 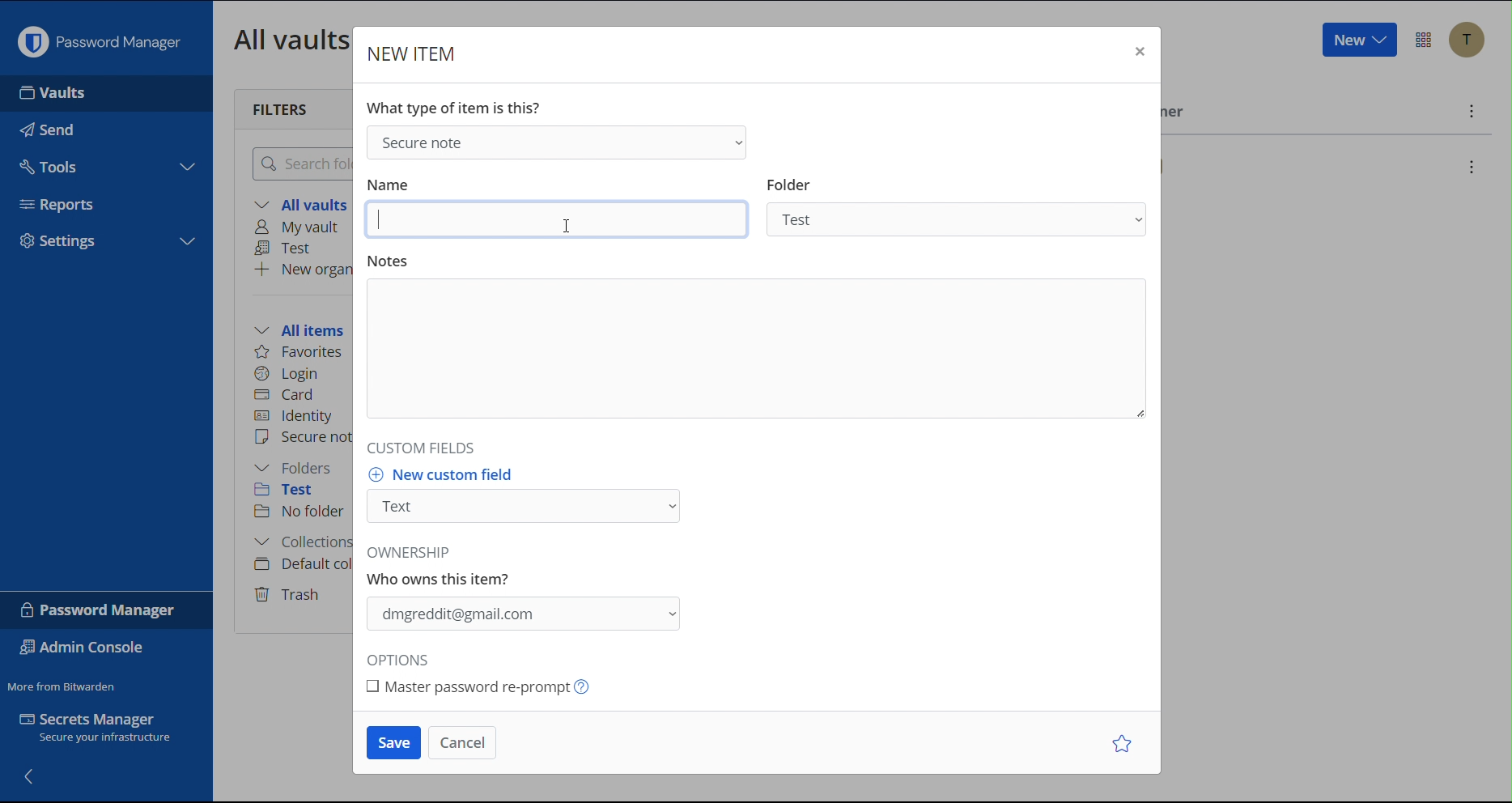 I want to click on Card, so click(x=287, y=393).